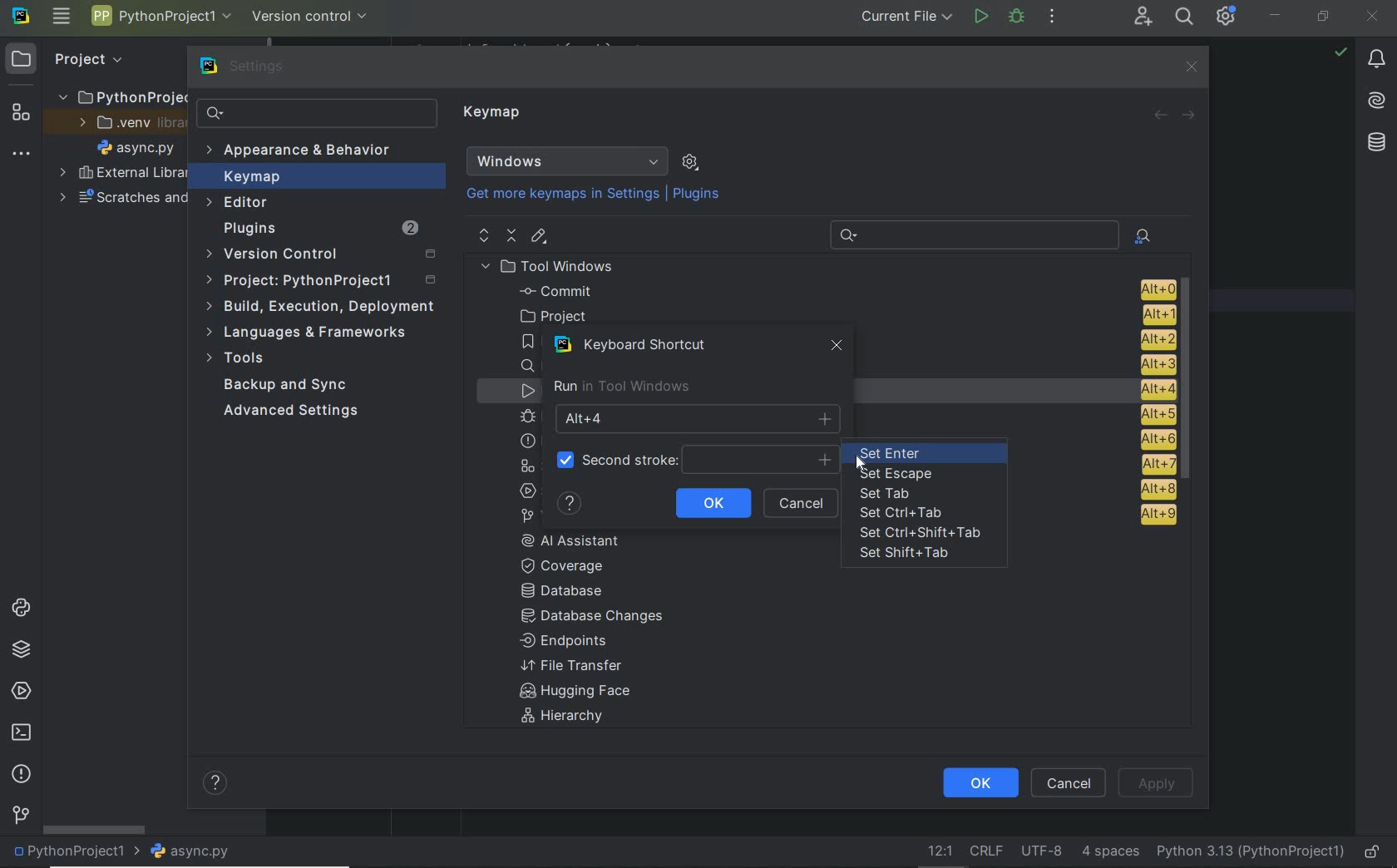 The width and height of the screenshot is (1397, 868). Describe the element at coordinates (1374, 15) in the screenshot. I see `close` at that location.